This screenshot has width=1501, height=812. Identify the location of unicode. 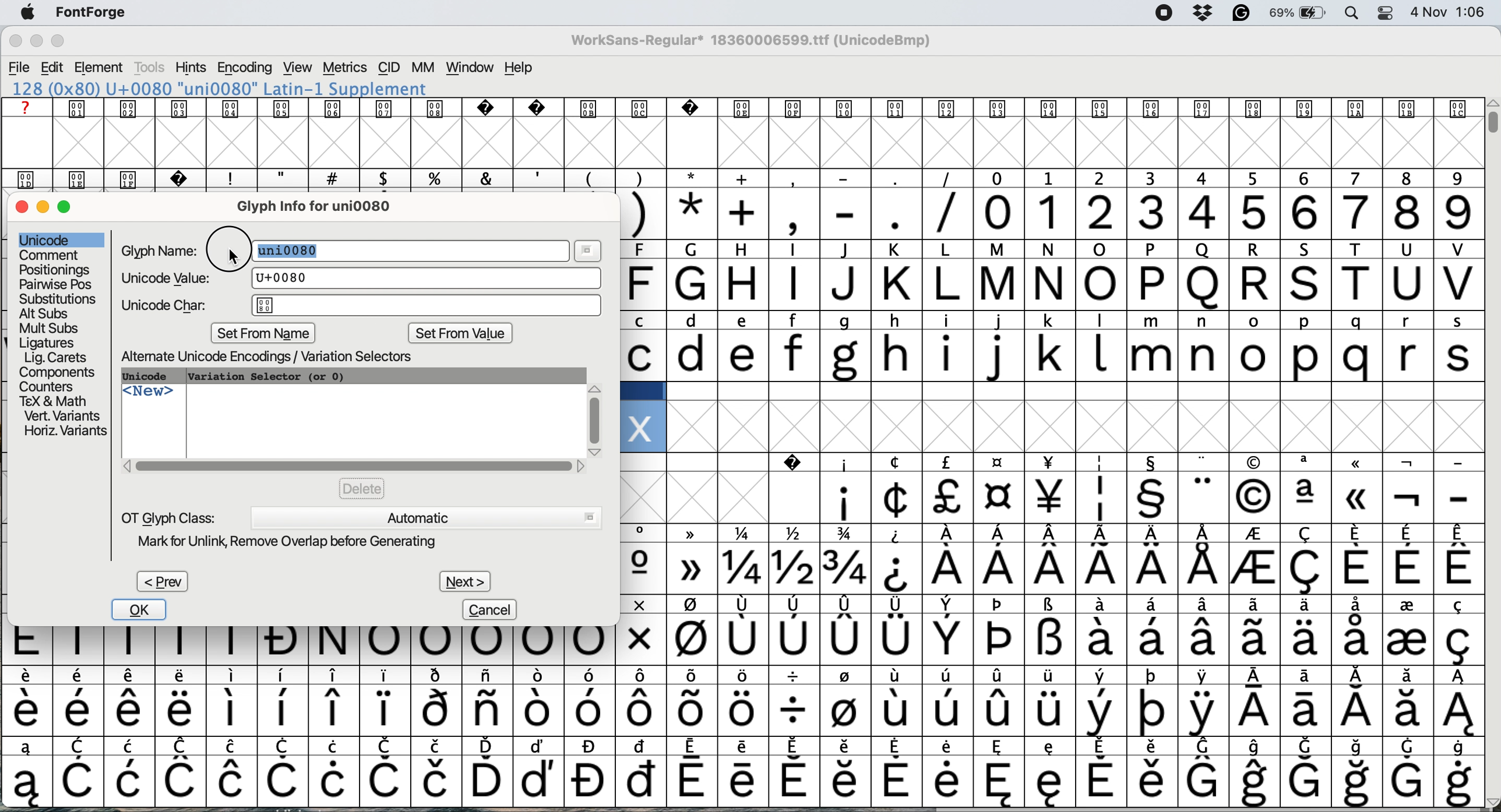
(152, 377).